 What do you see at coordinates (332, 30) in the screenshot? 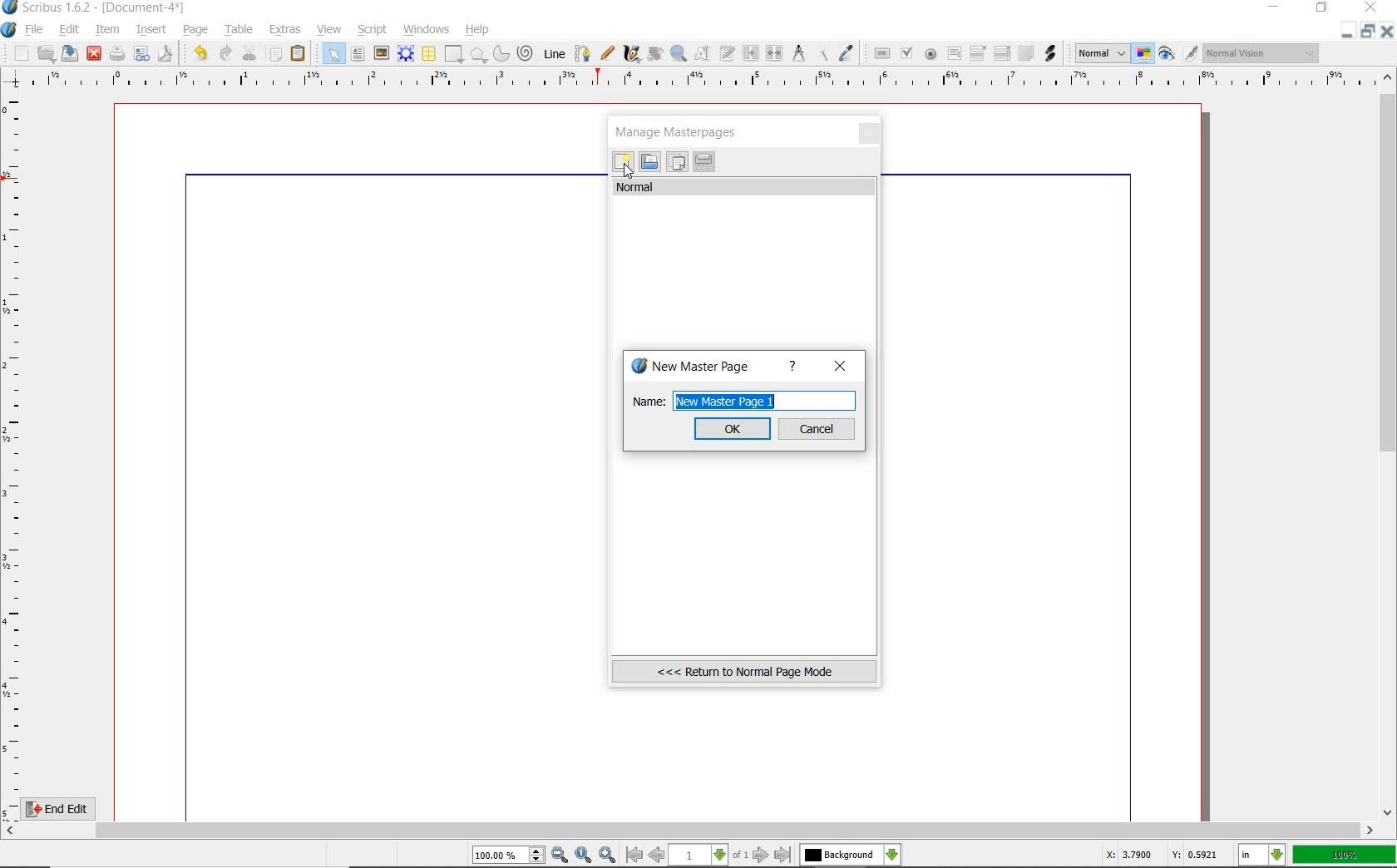
I see `view` at bounding box center [332, 30].